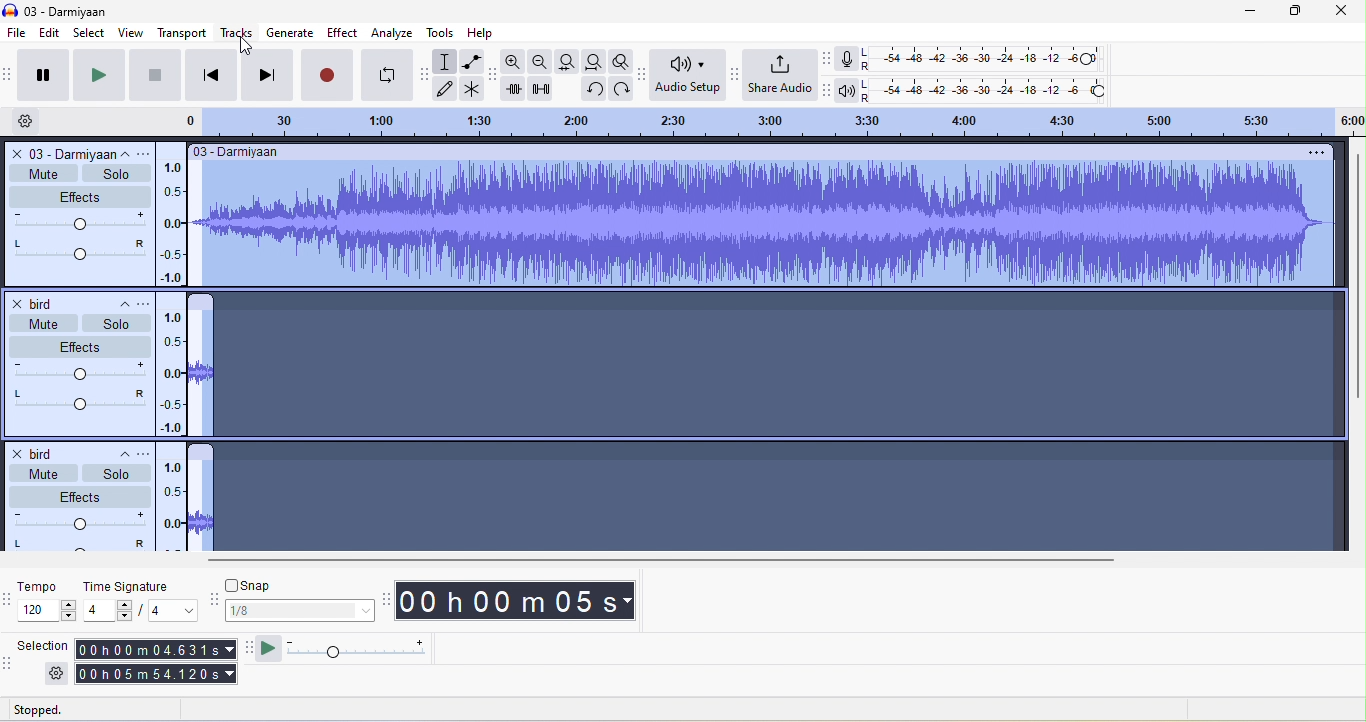  I want to click on 00 h 00 m 05 s, so click(520, 603).